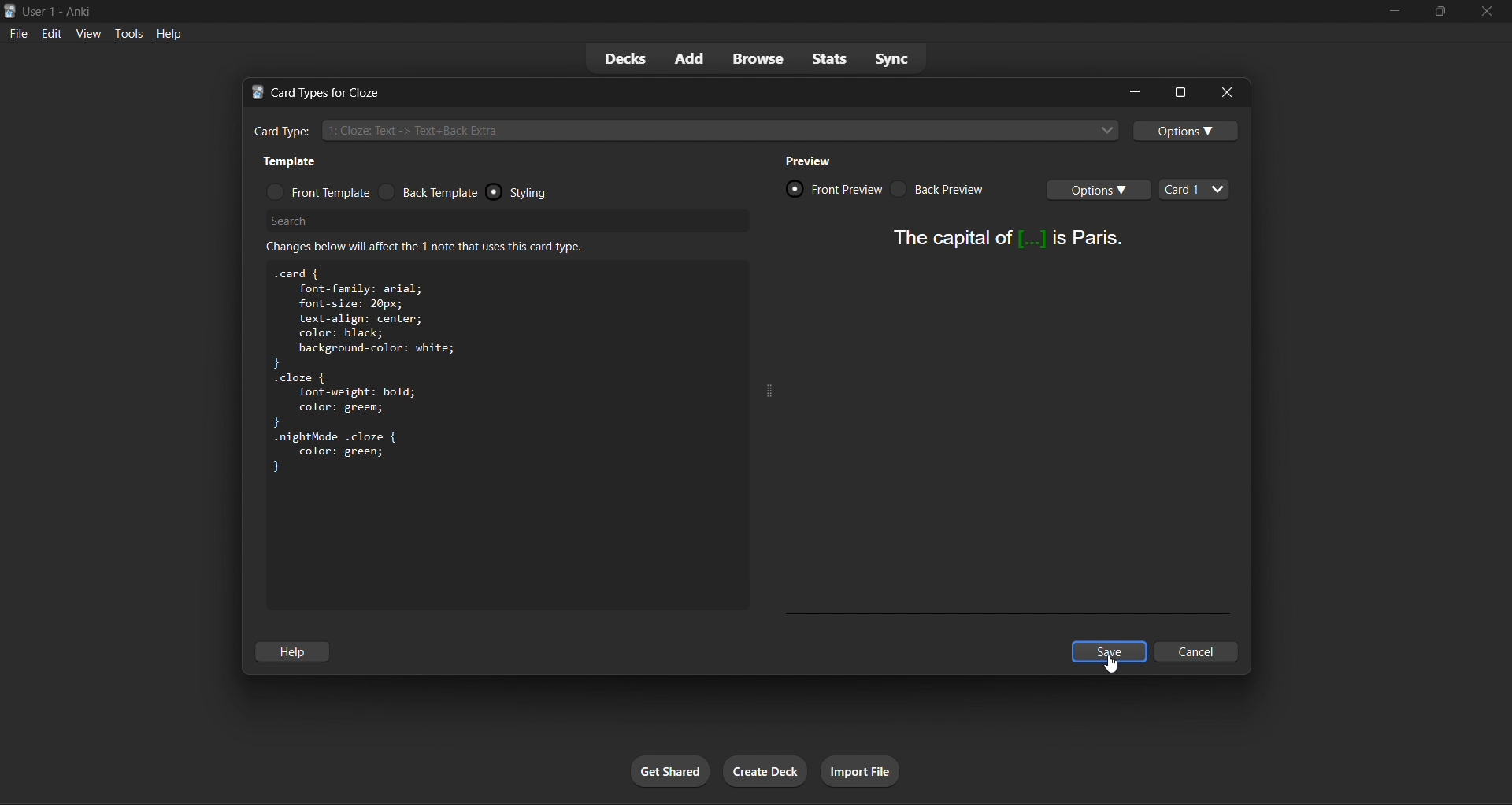 The width and height of the screenshot is (1512, 805). I want to click on get shared, so click(673, 770).